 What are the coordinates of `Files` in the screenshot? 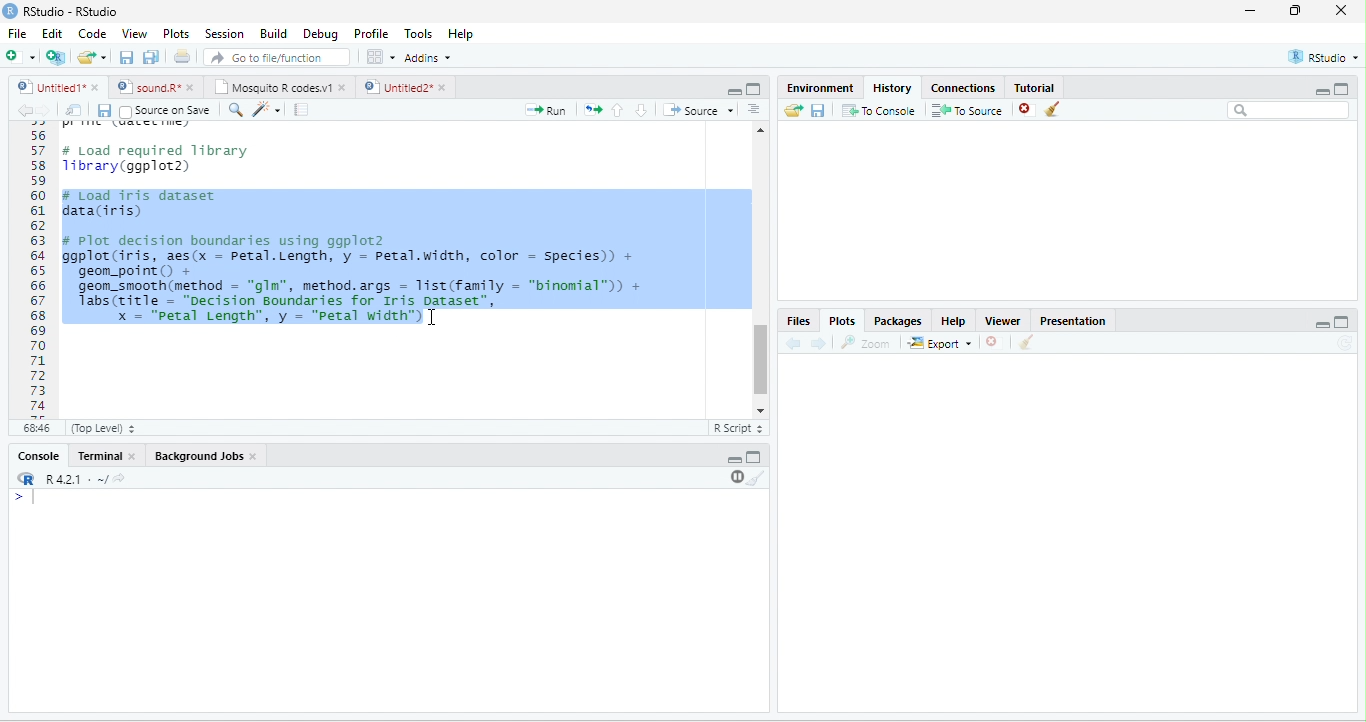 It's located at (797, 322).